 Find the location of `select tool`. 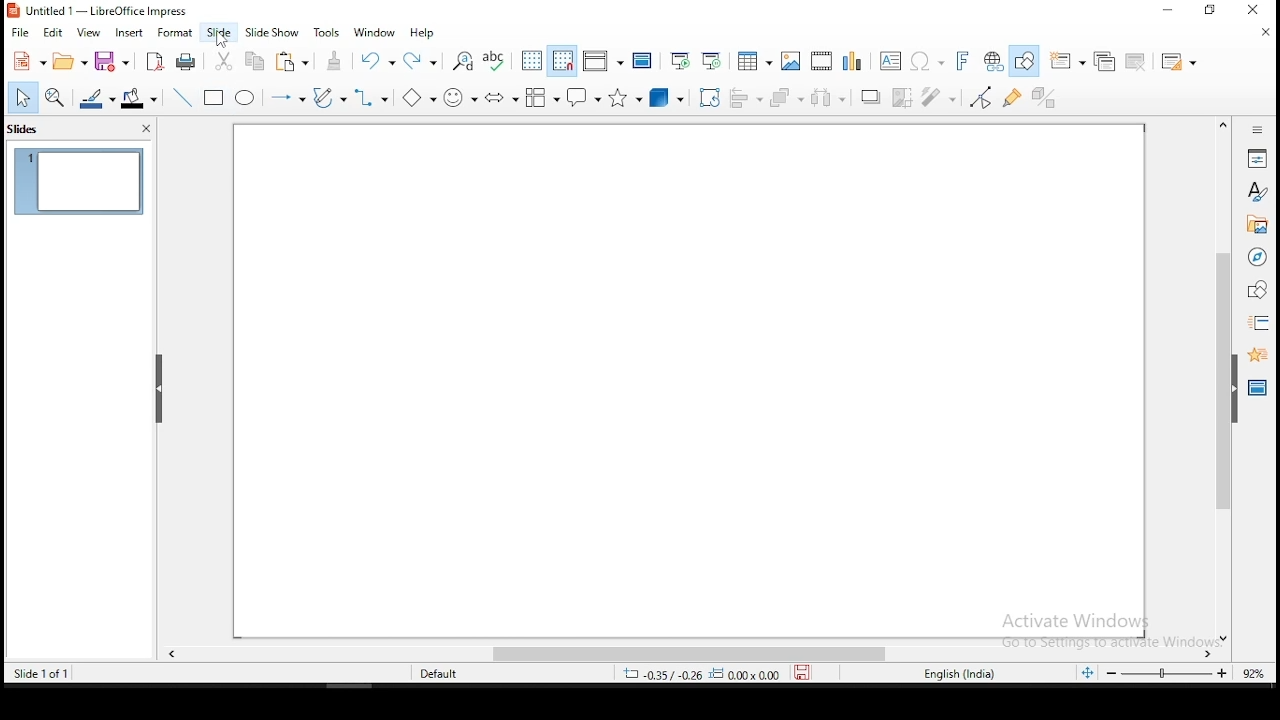

select tool is located at coordinates (26, 97).